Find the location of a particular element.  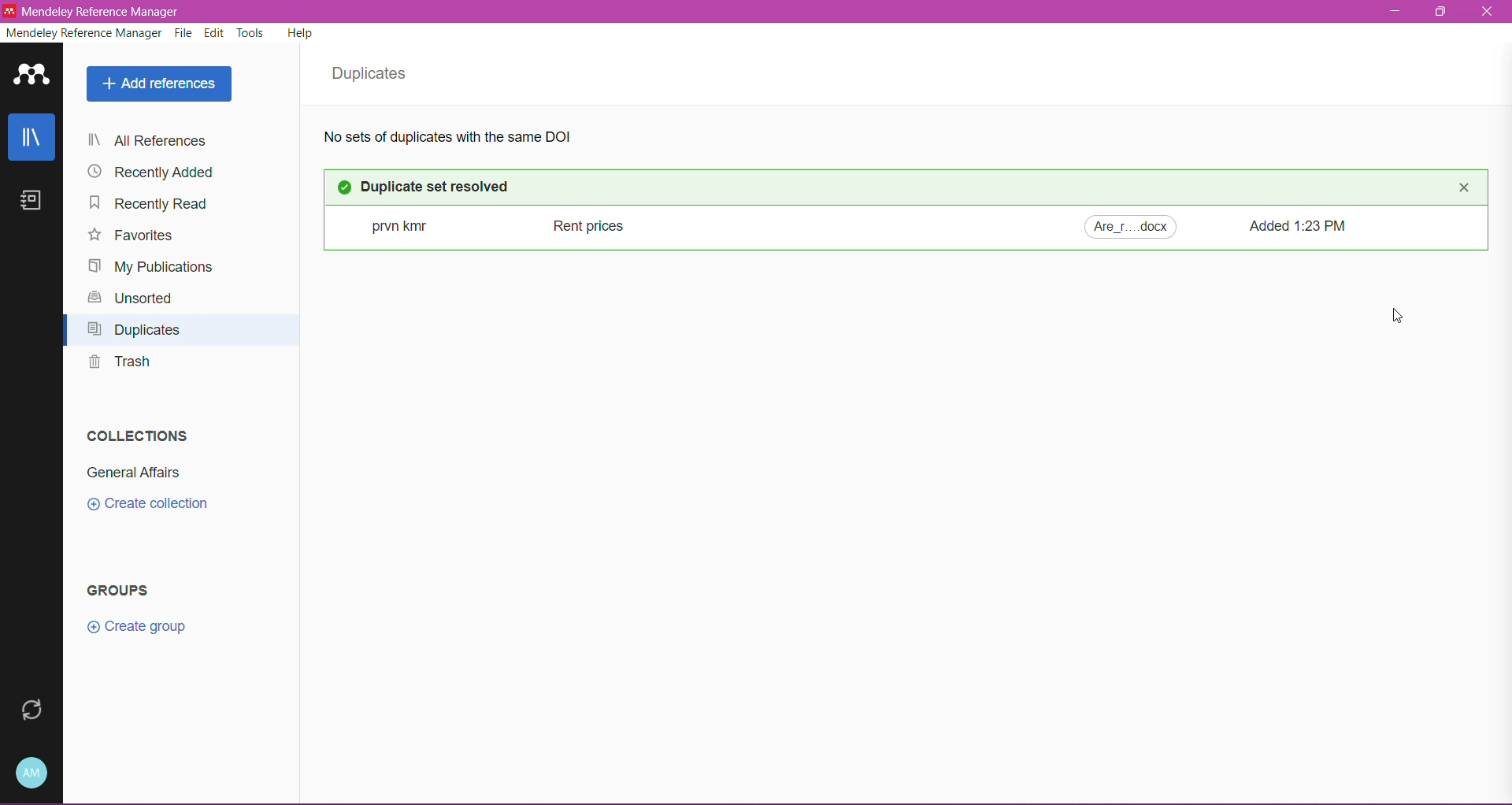

Recently Read is located at coordinates (156, 206).